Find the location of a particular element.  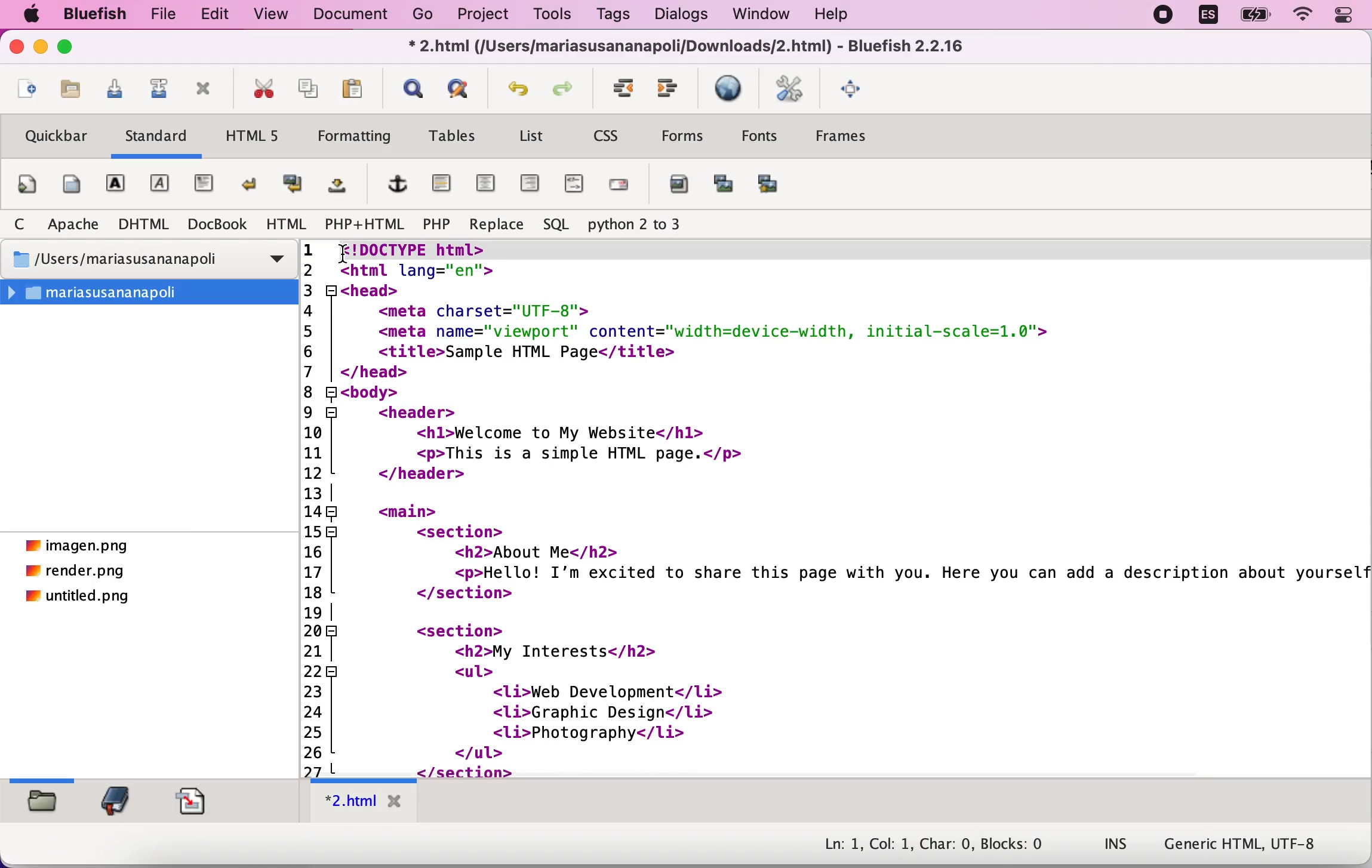

tags is located at coordinates (614, 16).